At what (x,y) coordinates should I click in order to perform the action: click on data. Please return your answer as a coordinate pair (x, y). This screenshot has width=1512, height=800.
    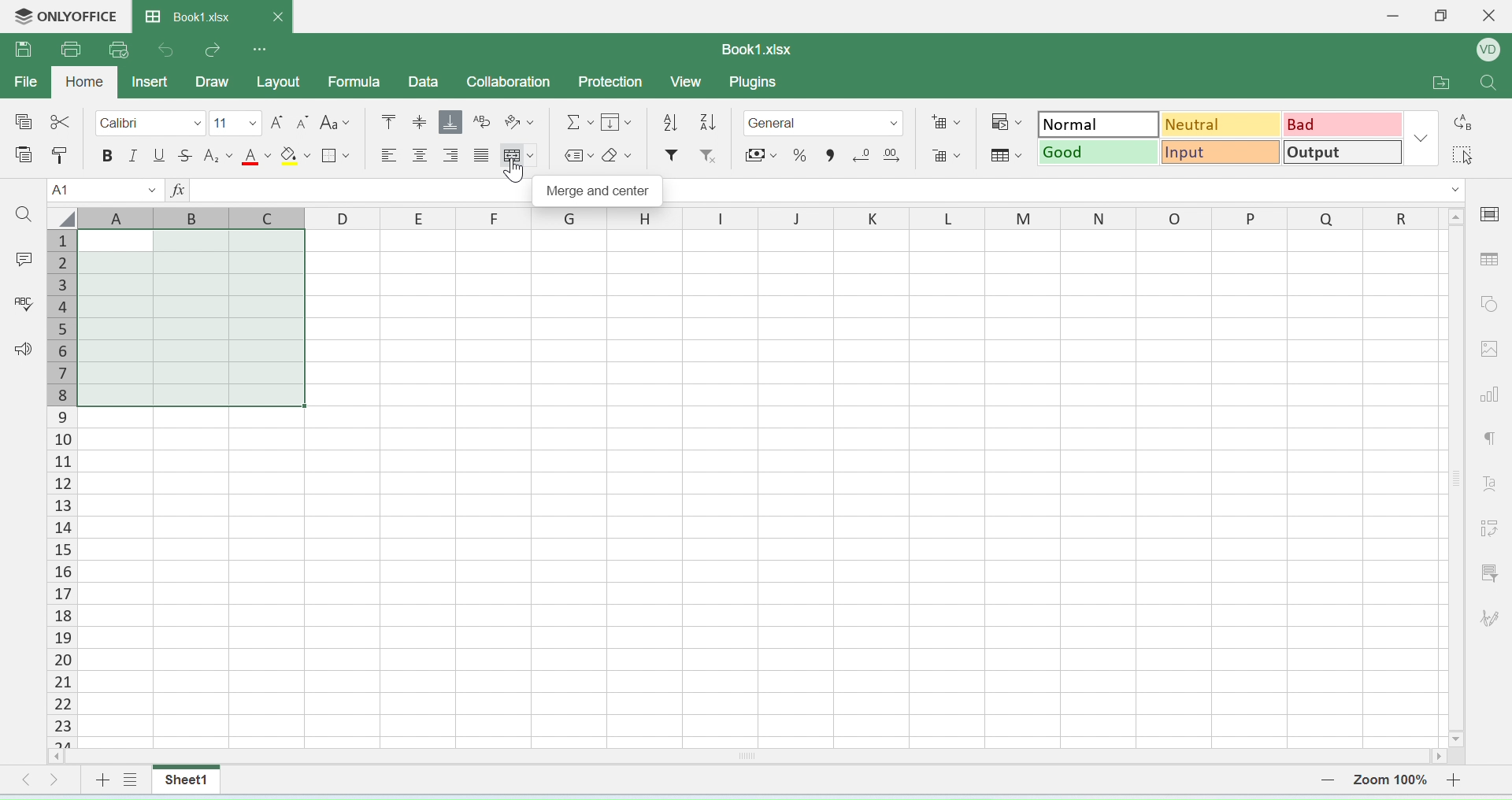
    Looking at the image, I should click on (422, 81).